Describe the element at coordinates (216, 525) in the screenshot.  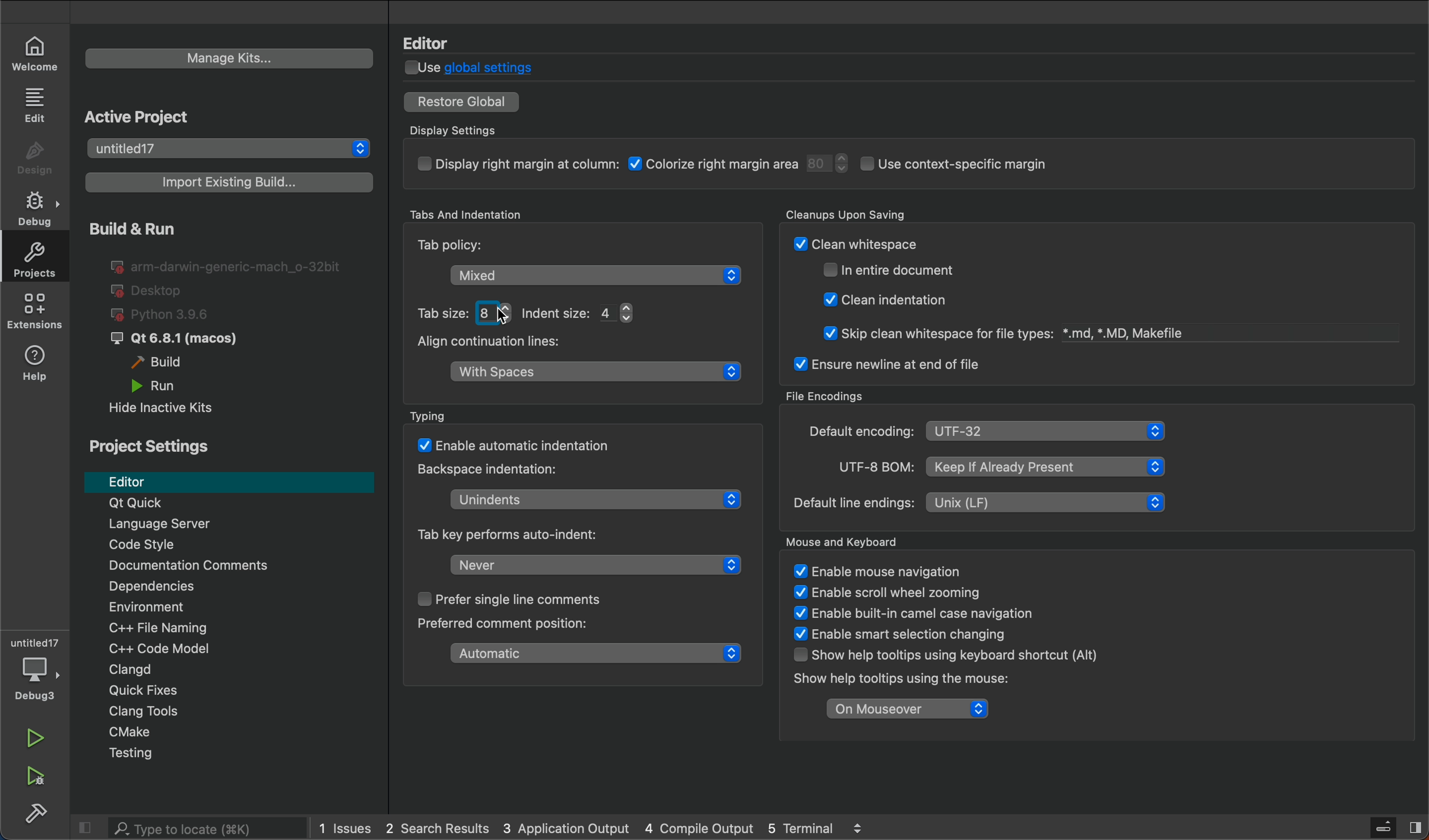
I see `language server` at that location.